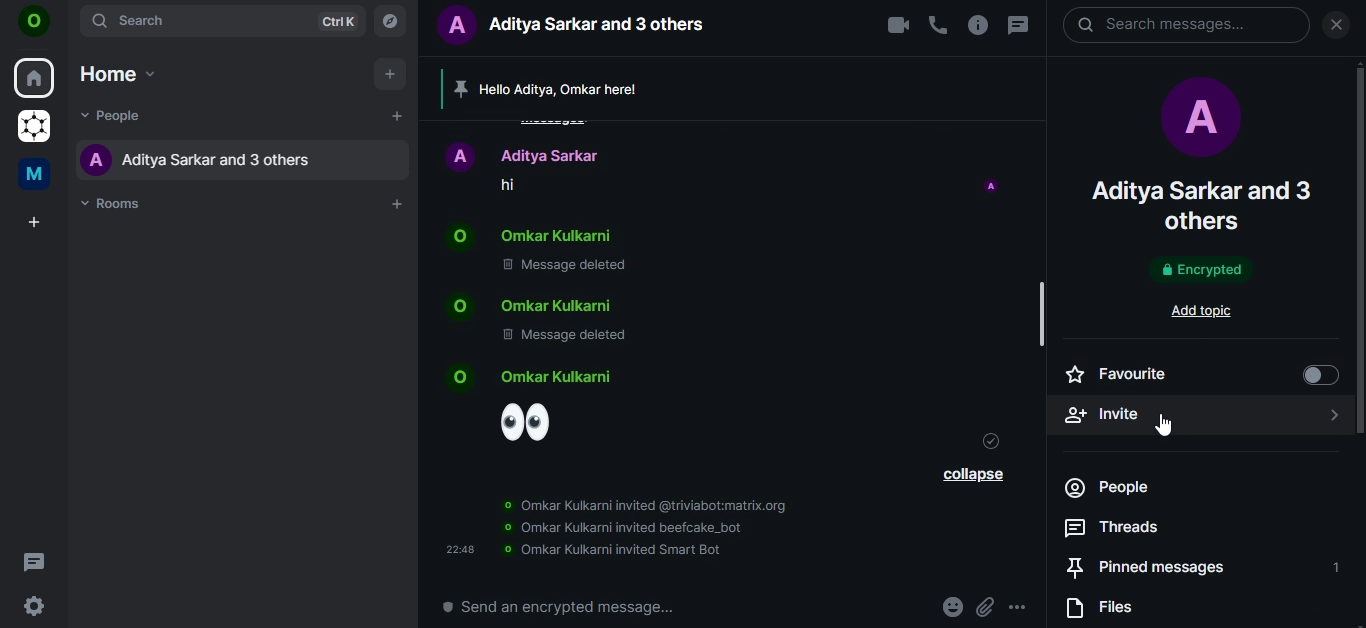  What do you see at coordinates (34, 561) in the screenshot?
I see `threads` at bounding box center [34, 561].